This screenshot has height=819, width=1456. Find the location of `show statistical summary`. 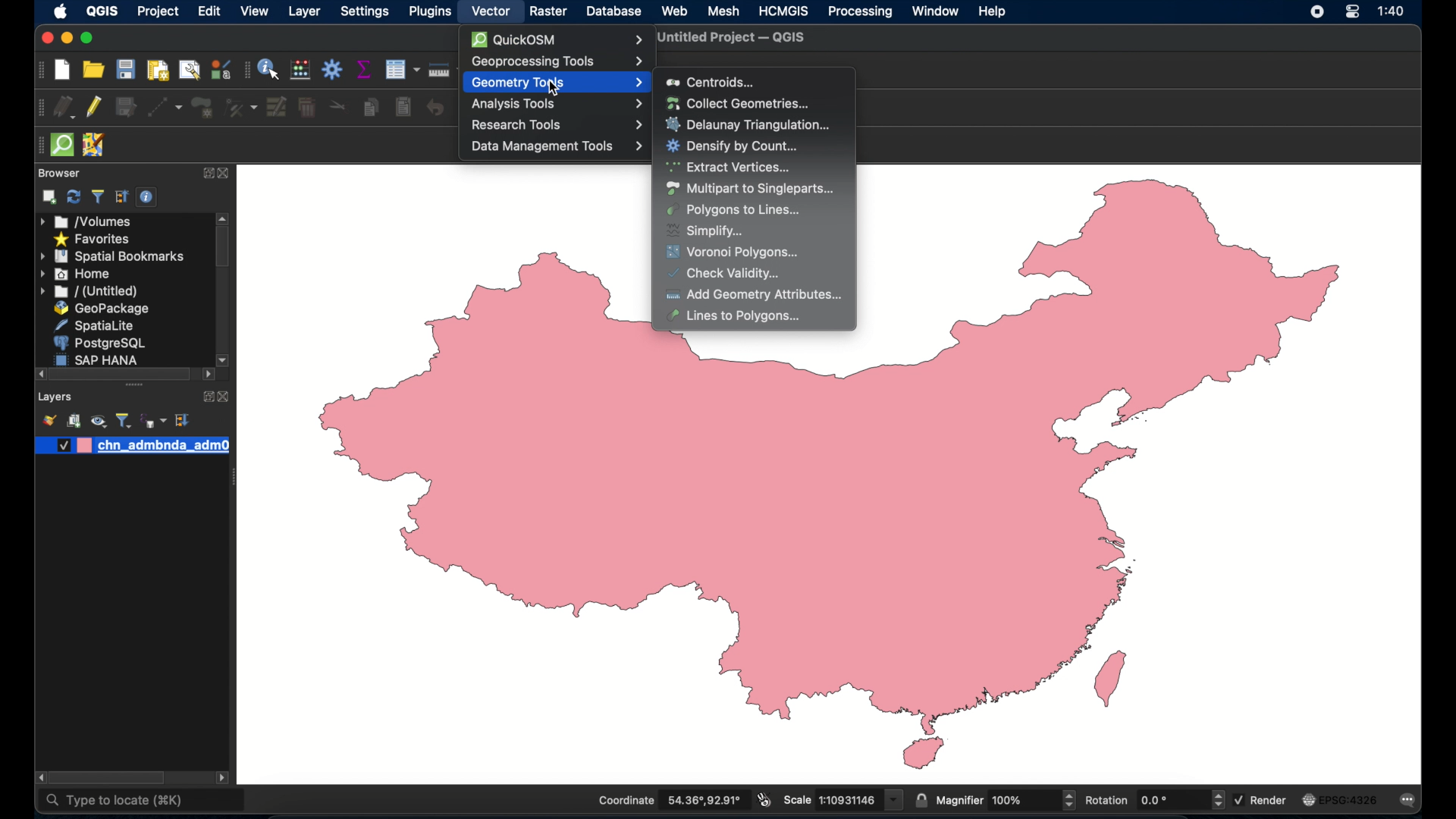

show statistical summary is located at coordinates (362, 68).